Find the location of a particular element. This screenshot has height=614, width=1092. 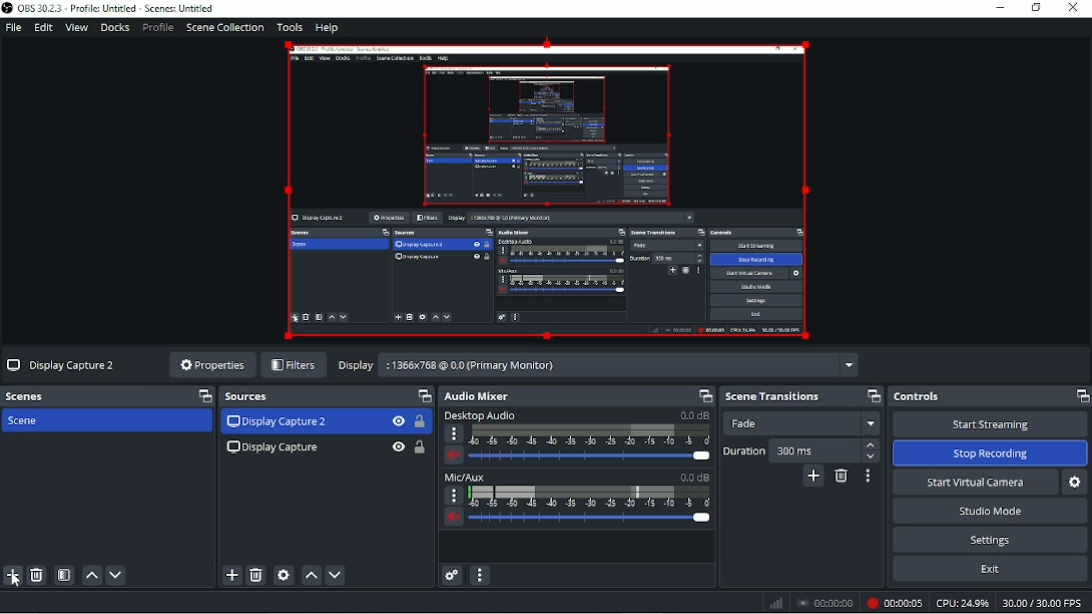

Open source properties is located at coordinates (283, 575).